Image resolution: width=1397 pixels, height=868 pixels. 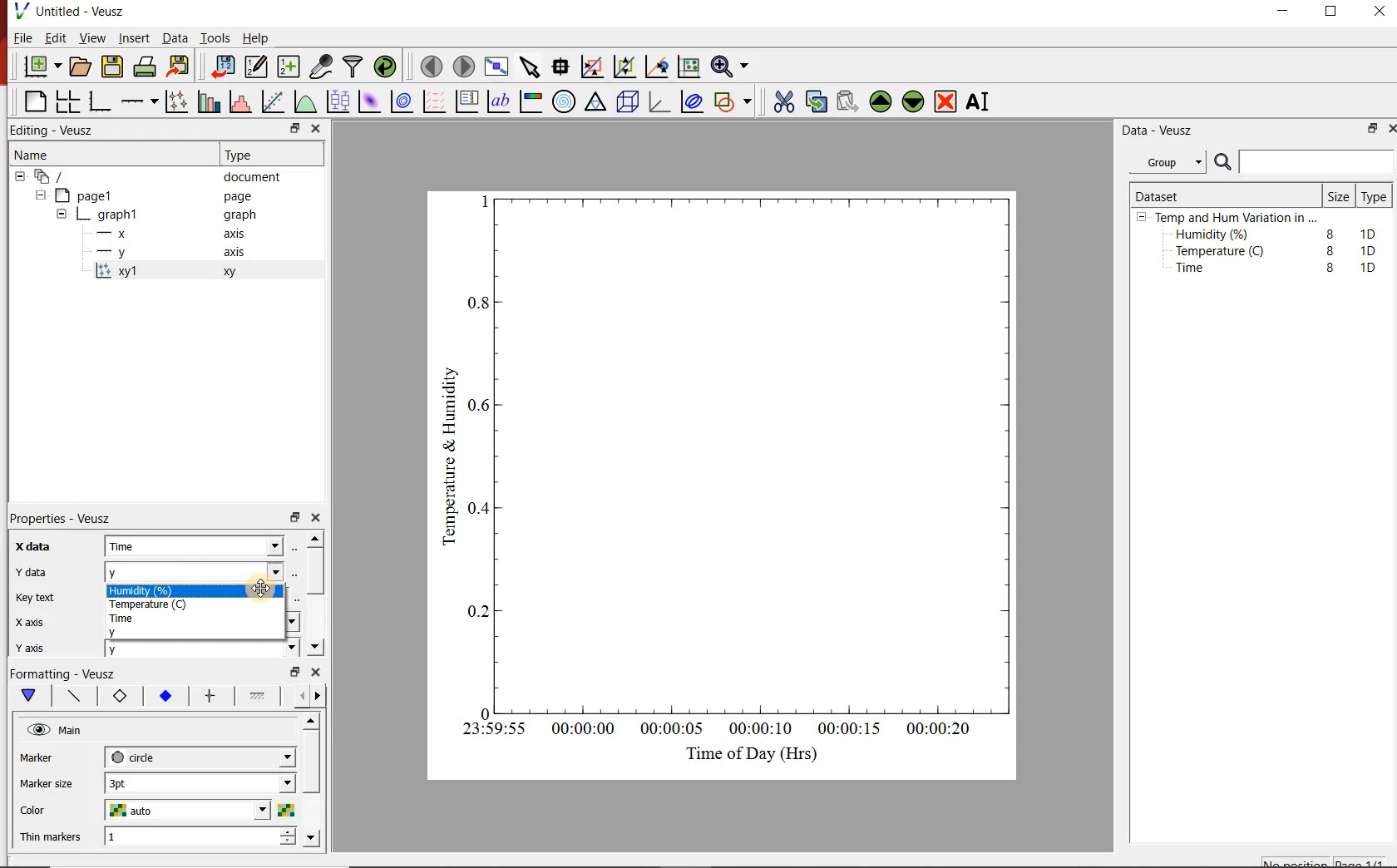 What do you see at coordinates (1199, 272) in the screenshot?
I see `Time` at bounding box center [1199, 272].